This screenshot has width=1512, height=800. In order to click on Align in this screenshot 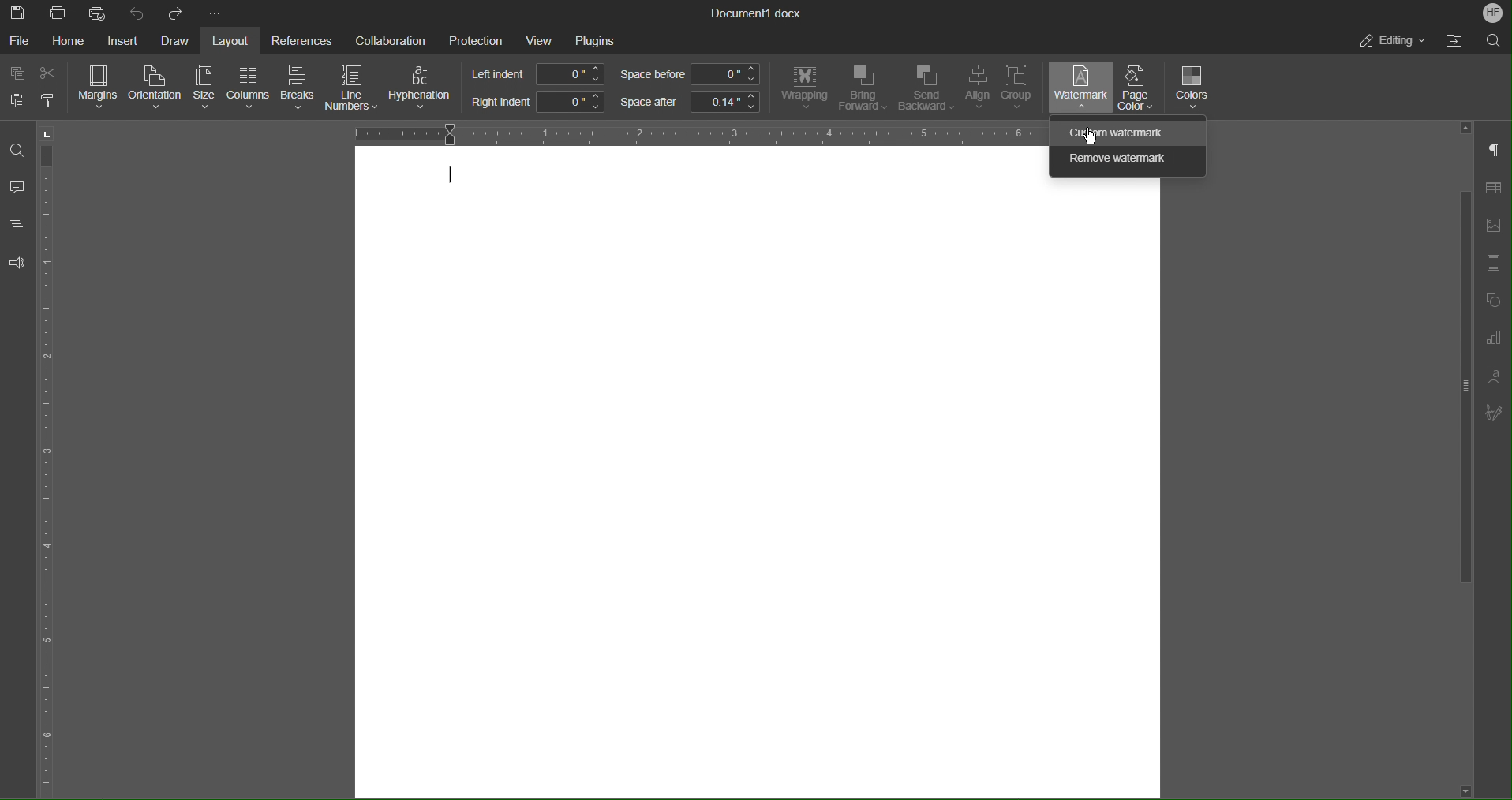, I will do `click(976, 89)`.